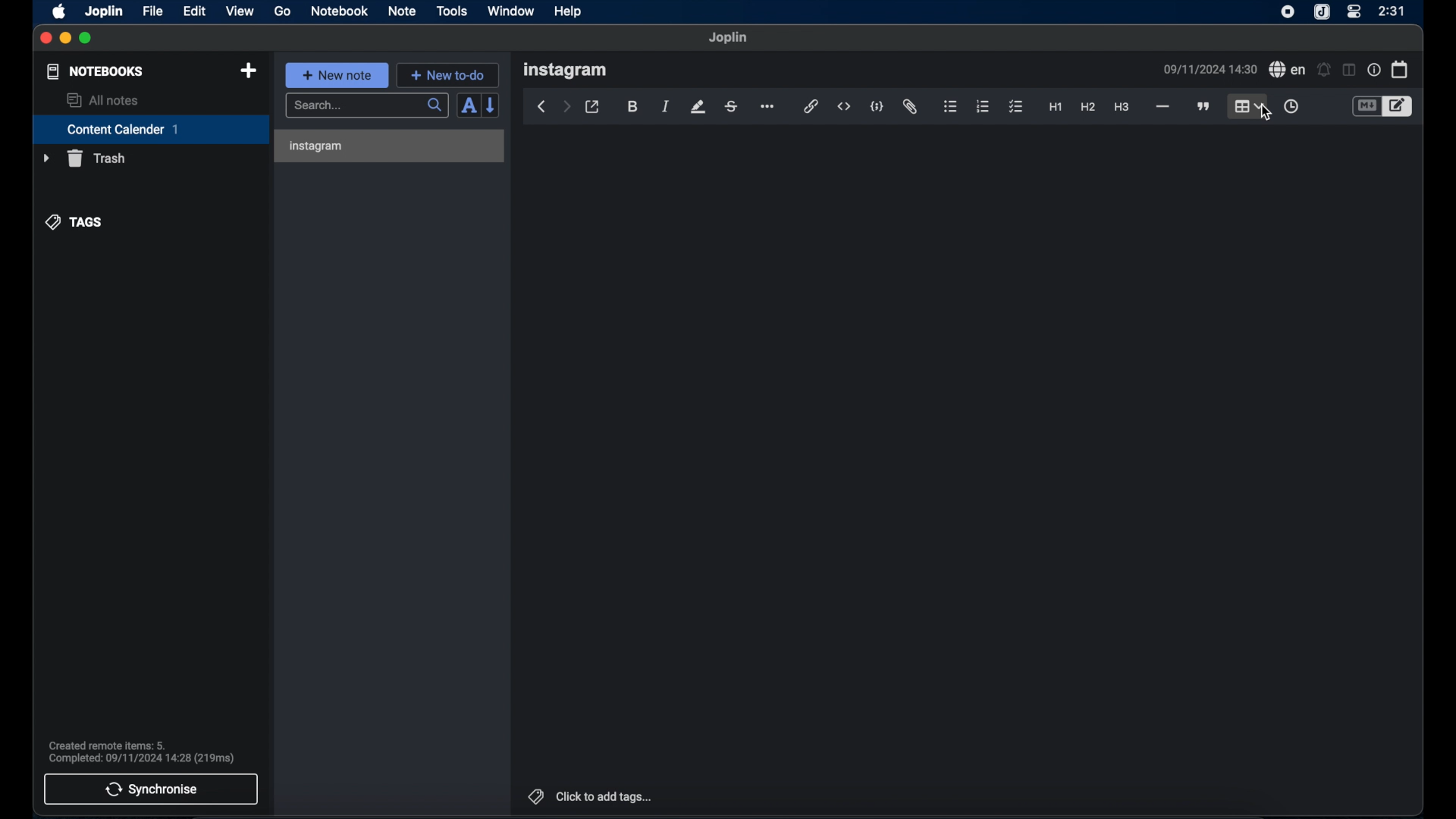  I want to click on toggle editor layout, so click(1349, 71).